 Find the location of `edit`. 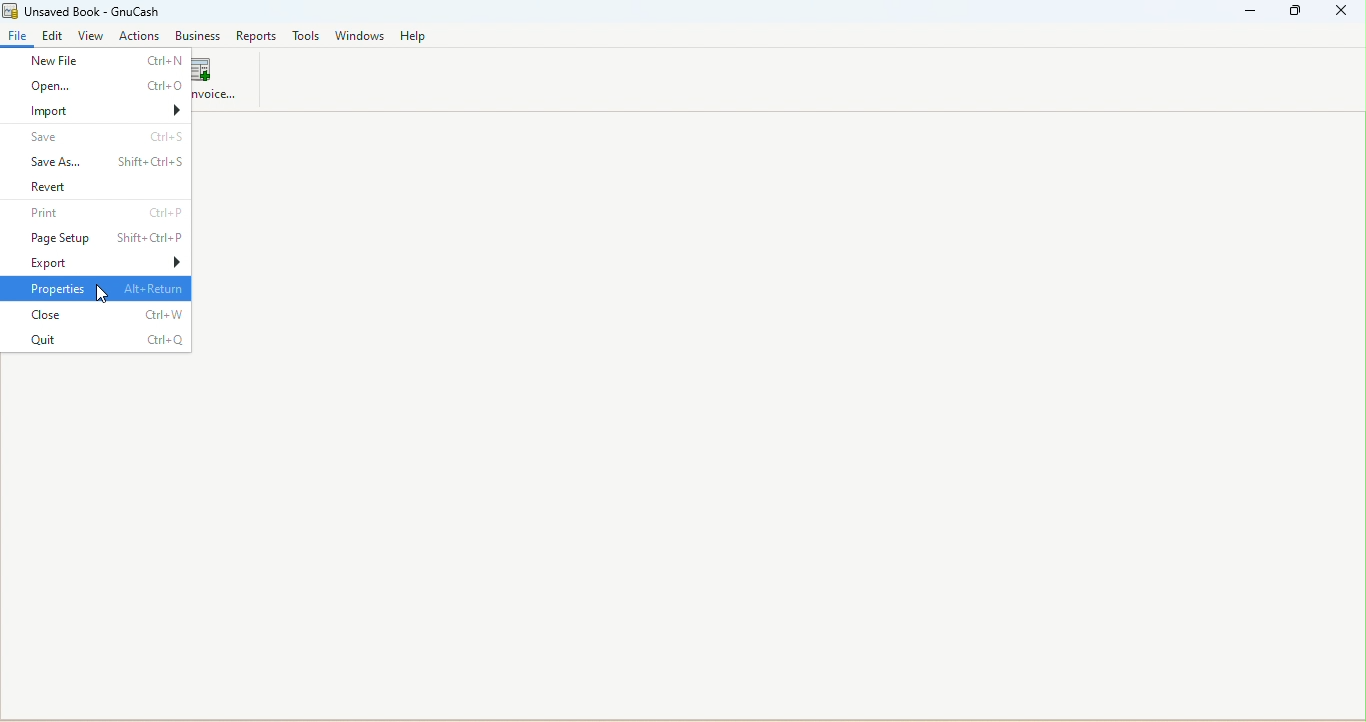

edit is located at coordinates (54, 37).